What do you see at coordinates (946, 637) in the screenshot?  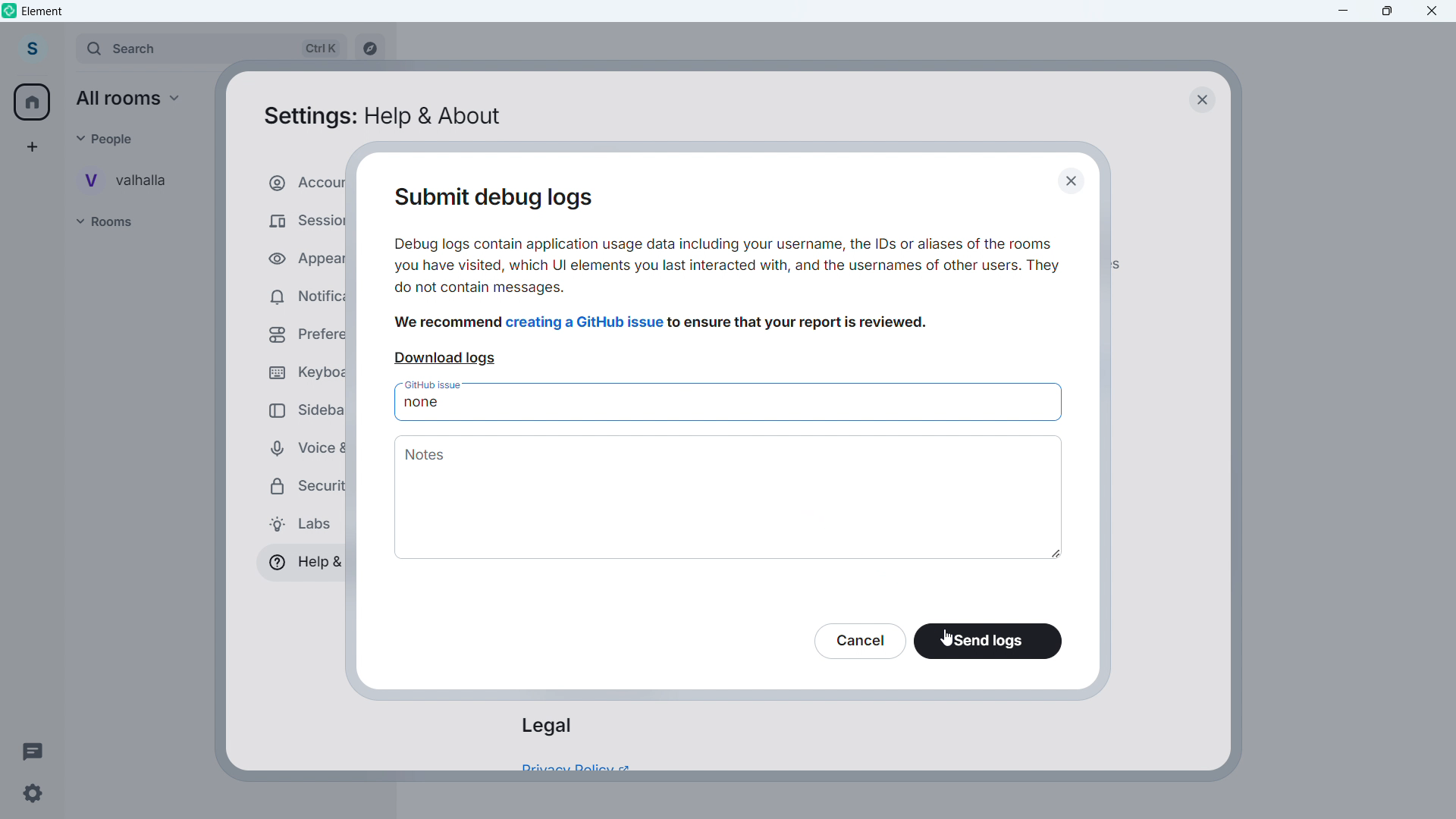 I see `cursor` at bounding box center [946, 637].